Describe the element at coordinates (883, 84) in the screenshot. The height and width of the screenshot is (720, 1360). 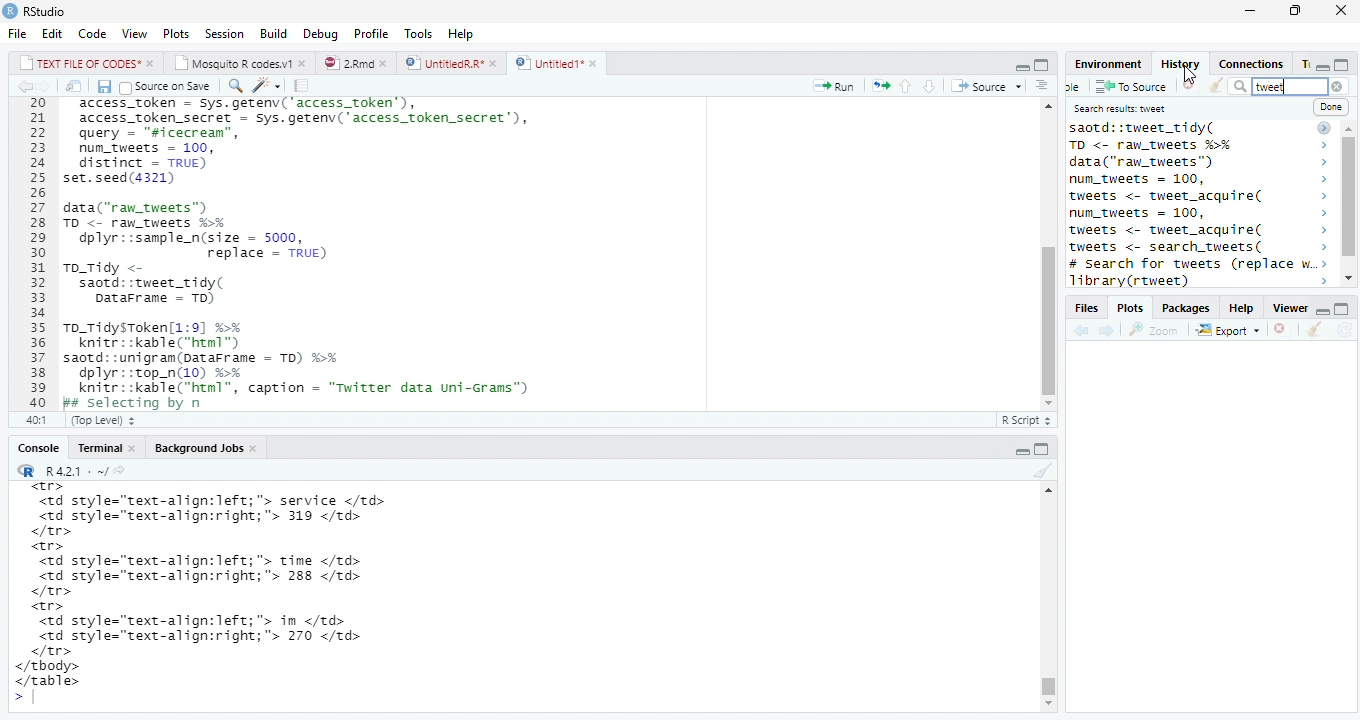
I see `rerun` at that location.